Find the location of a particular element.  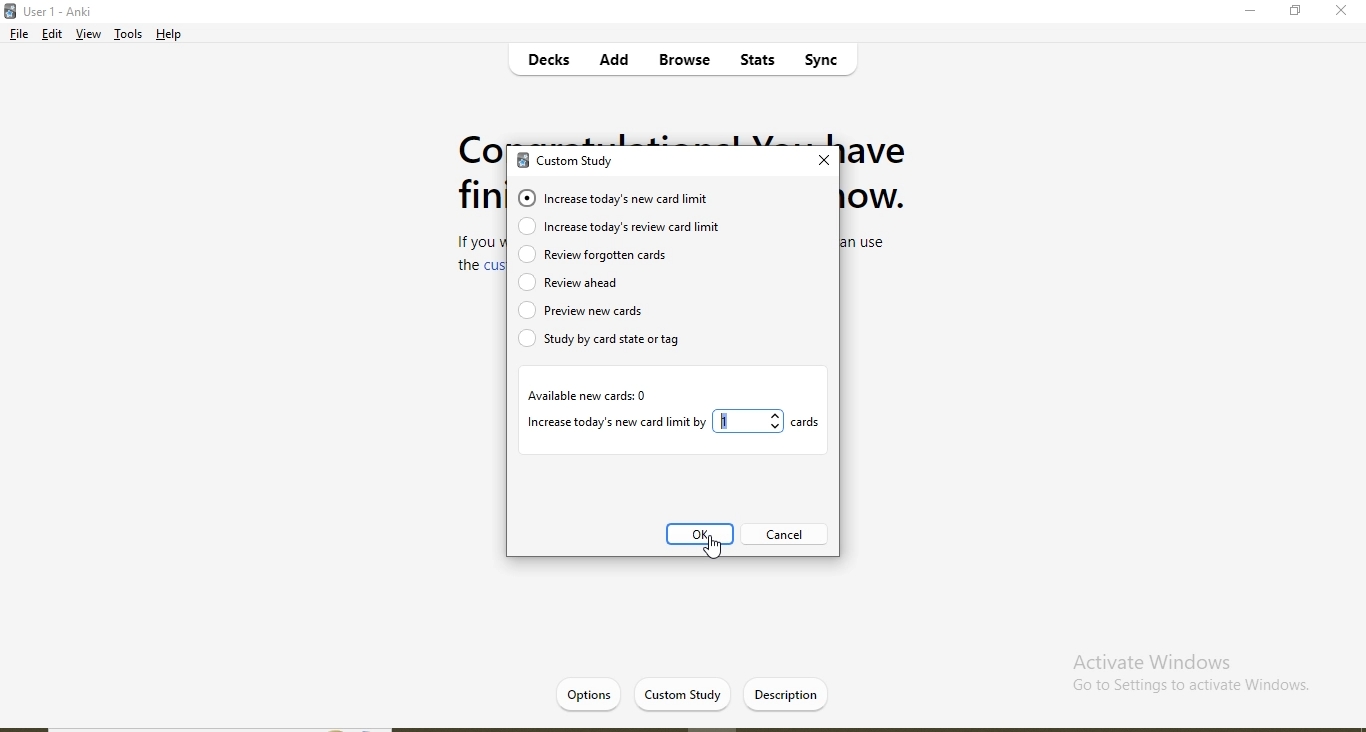

stats is located at coordinates (754, 63).